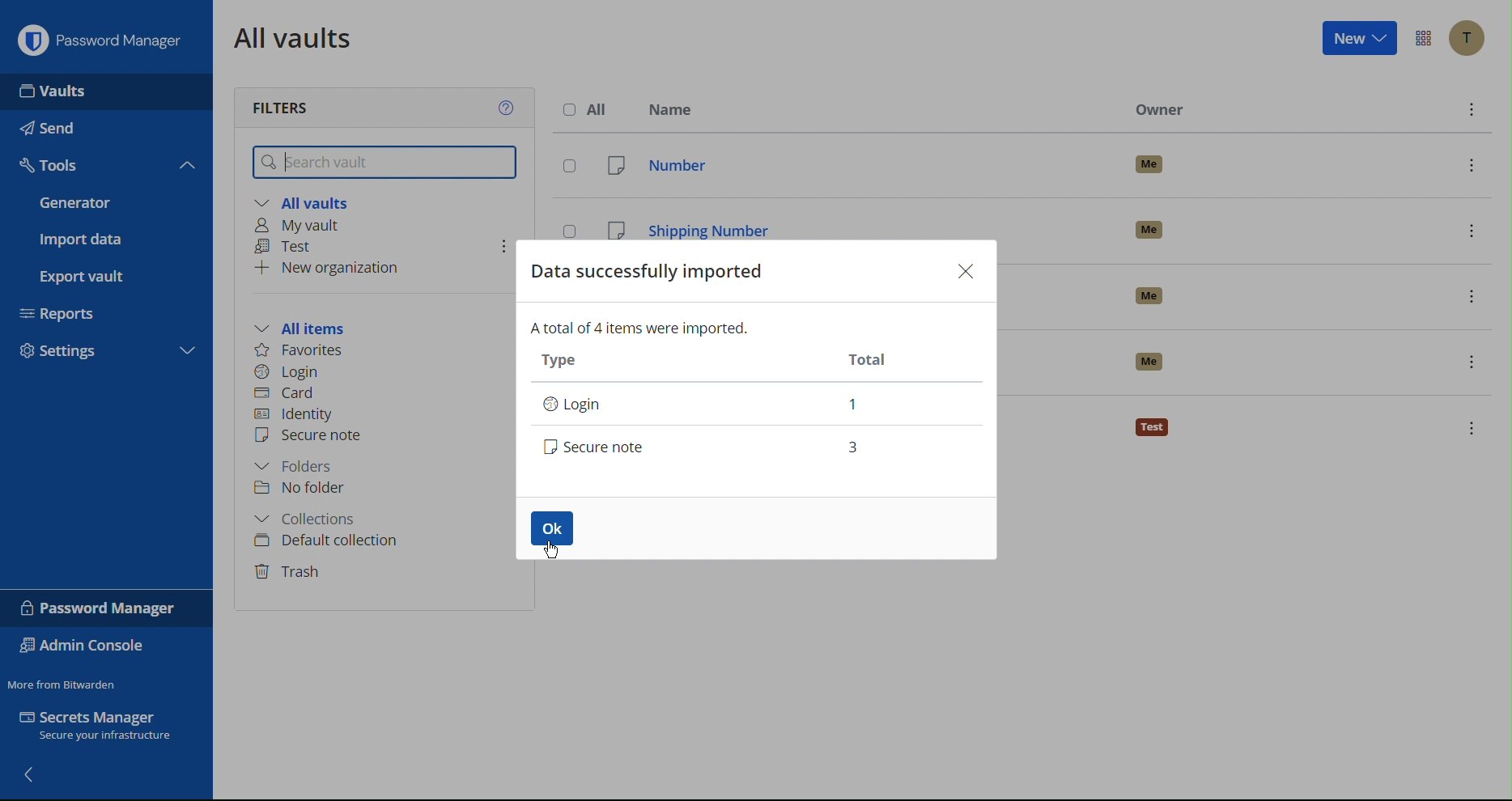 Image resolution: width=1512 pixels, height=801 pixels. I want to click on Card, so click(290, 394).